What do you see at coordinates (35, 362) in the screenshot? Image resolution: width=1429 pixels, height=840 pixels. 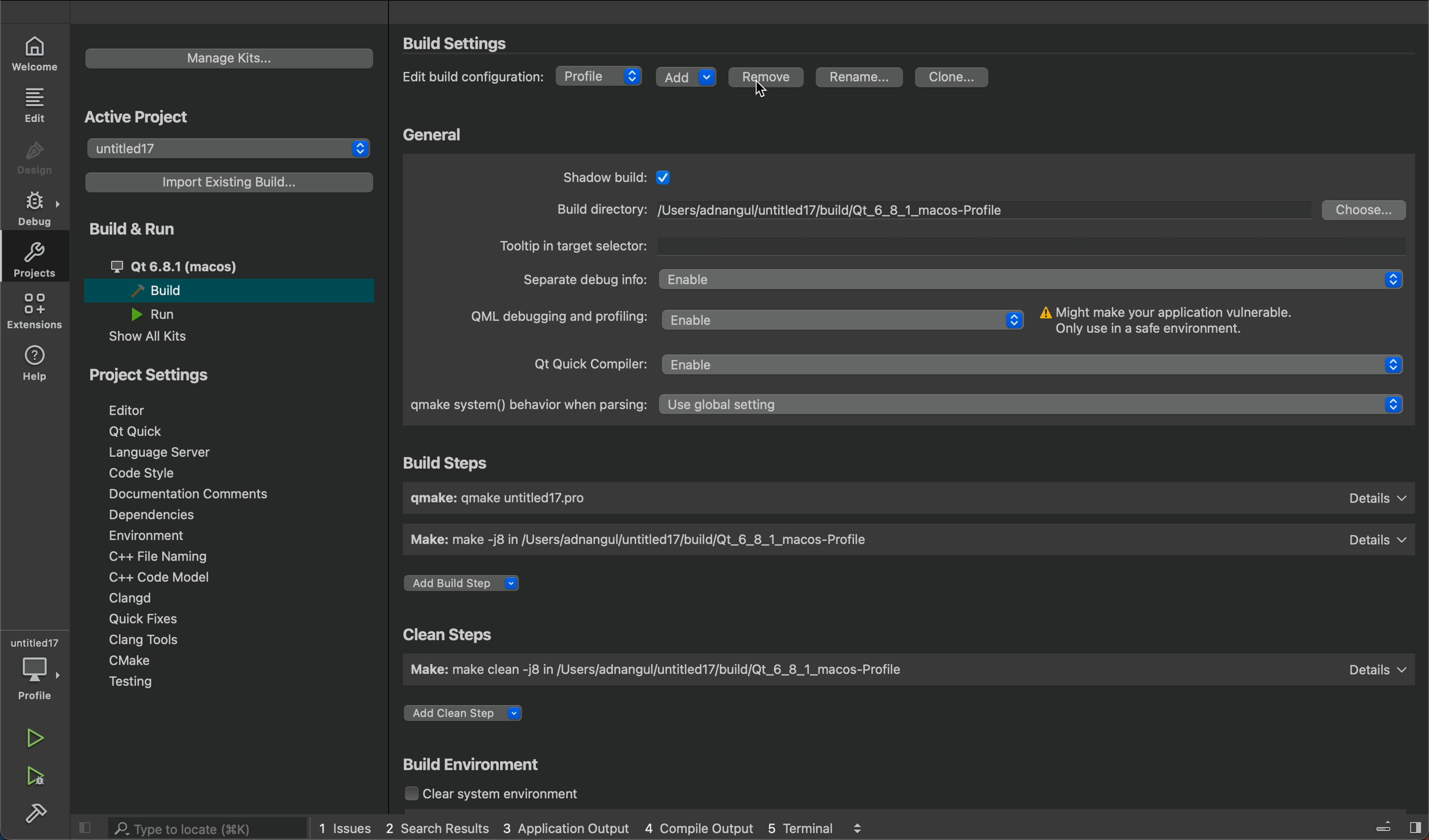 I see `help` at bounding box center [35, 362].